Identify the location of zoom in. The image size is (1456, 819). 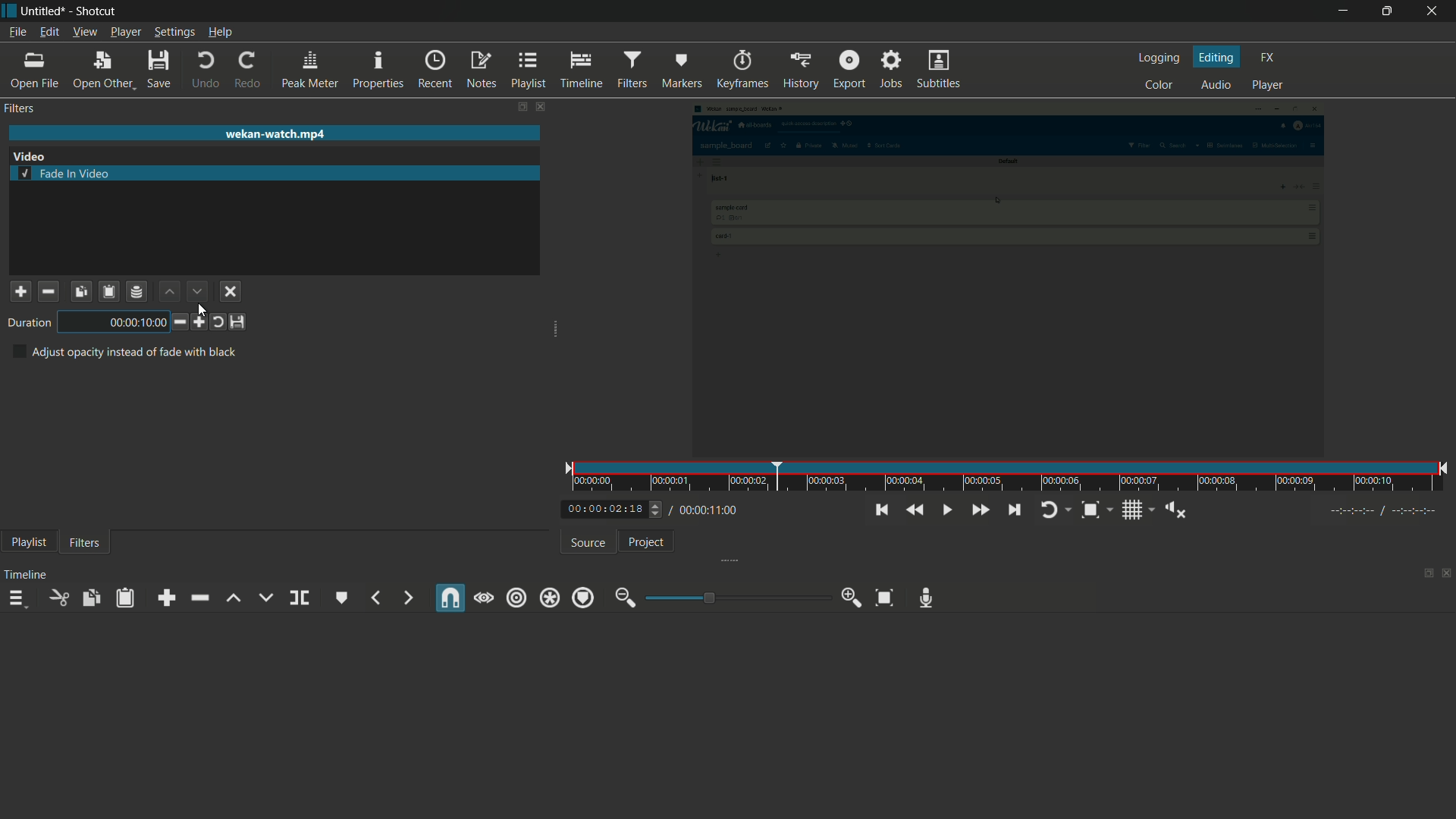
(852, 598).